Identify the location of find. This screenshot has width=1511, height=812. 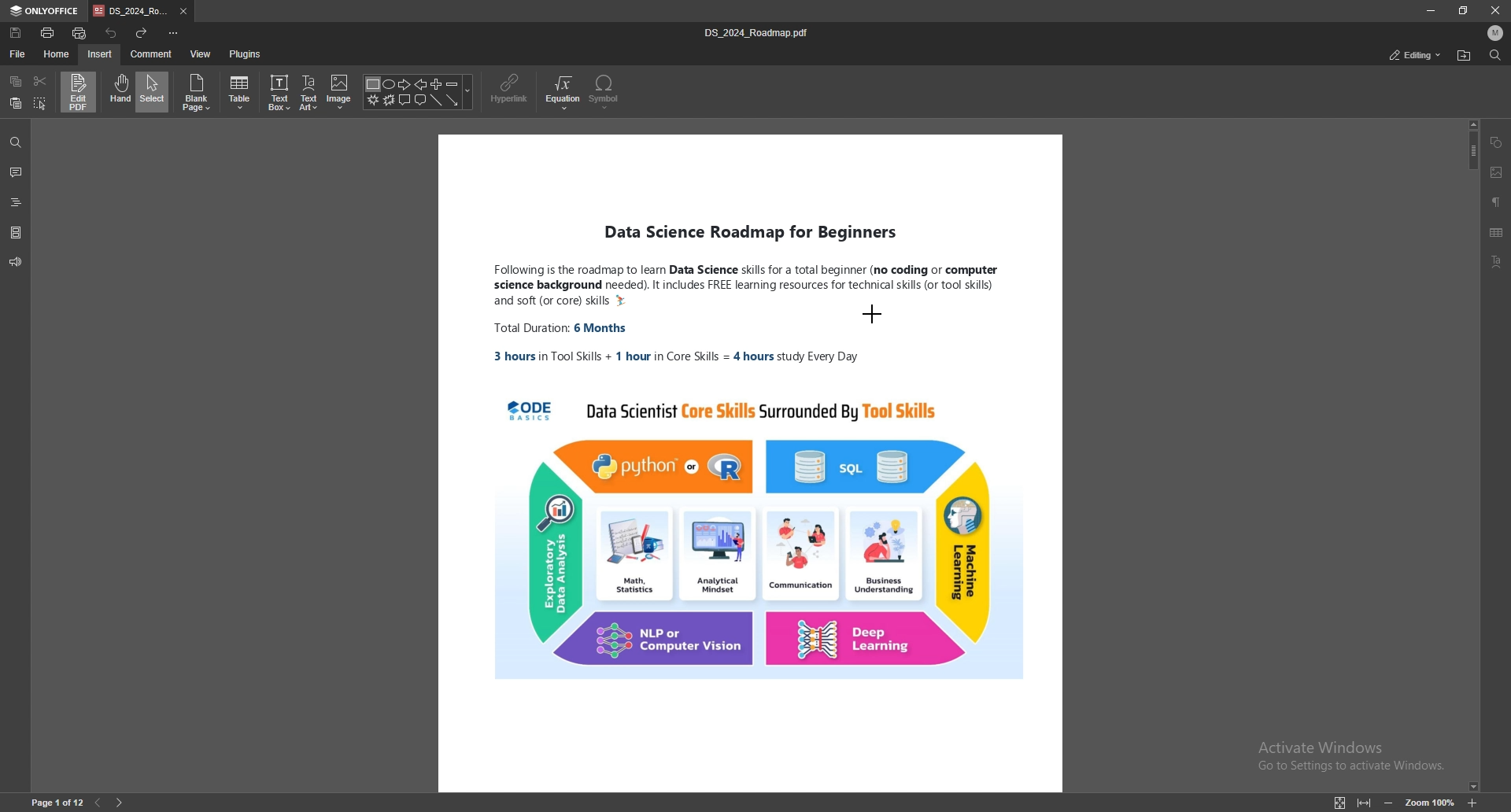
(15, 142).